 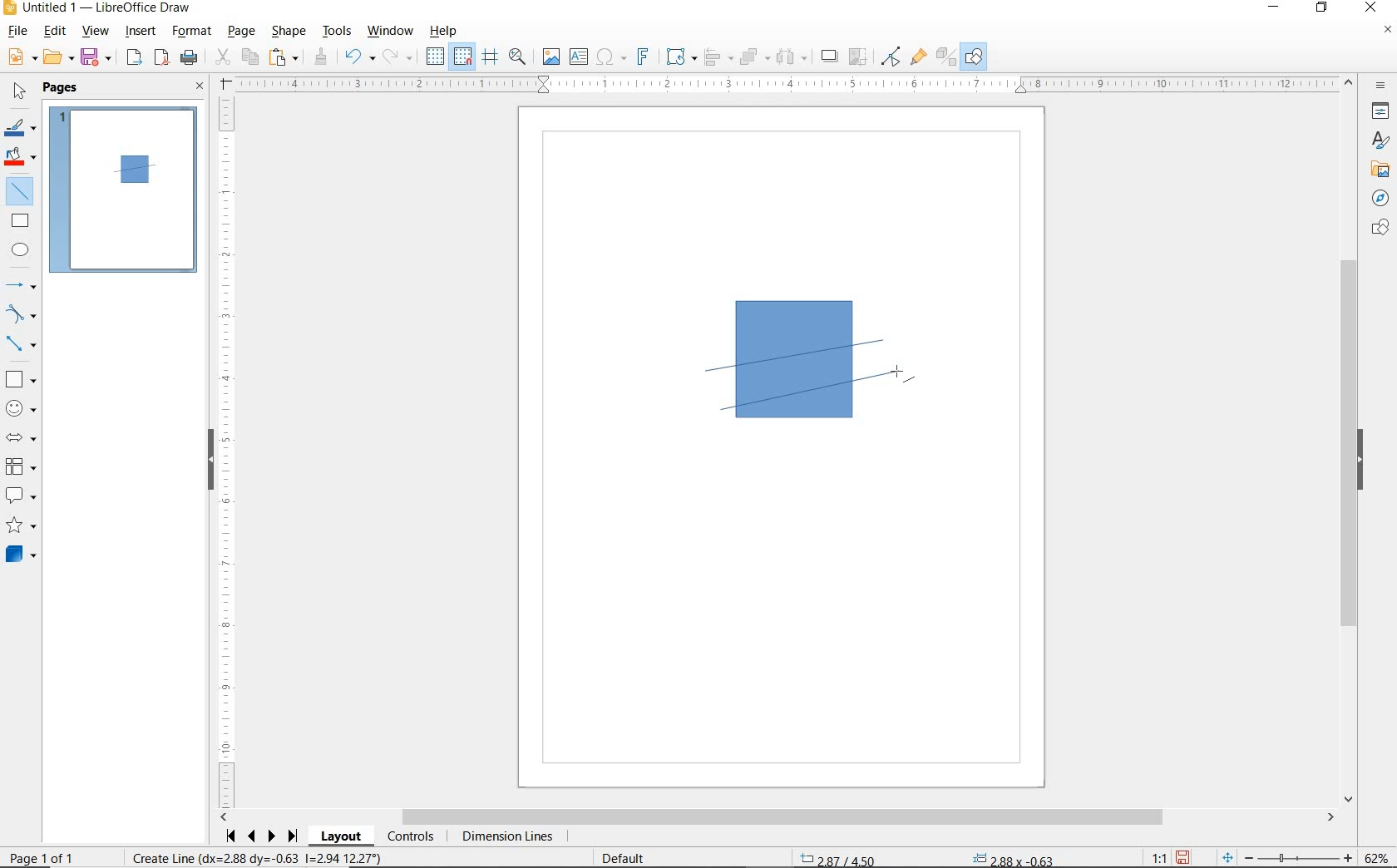 What do you see at coordinates (200, 87) in the screenshot?
I see `CLOSE` at bounding box center [200, 87].